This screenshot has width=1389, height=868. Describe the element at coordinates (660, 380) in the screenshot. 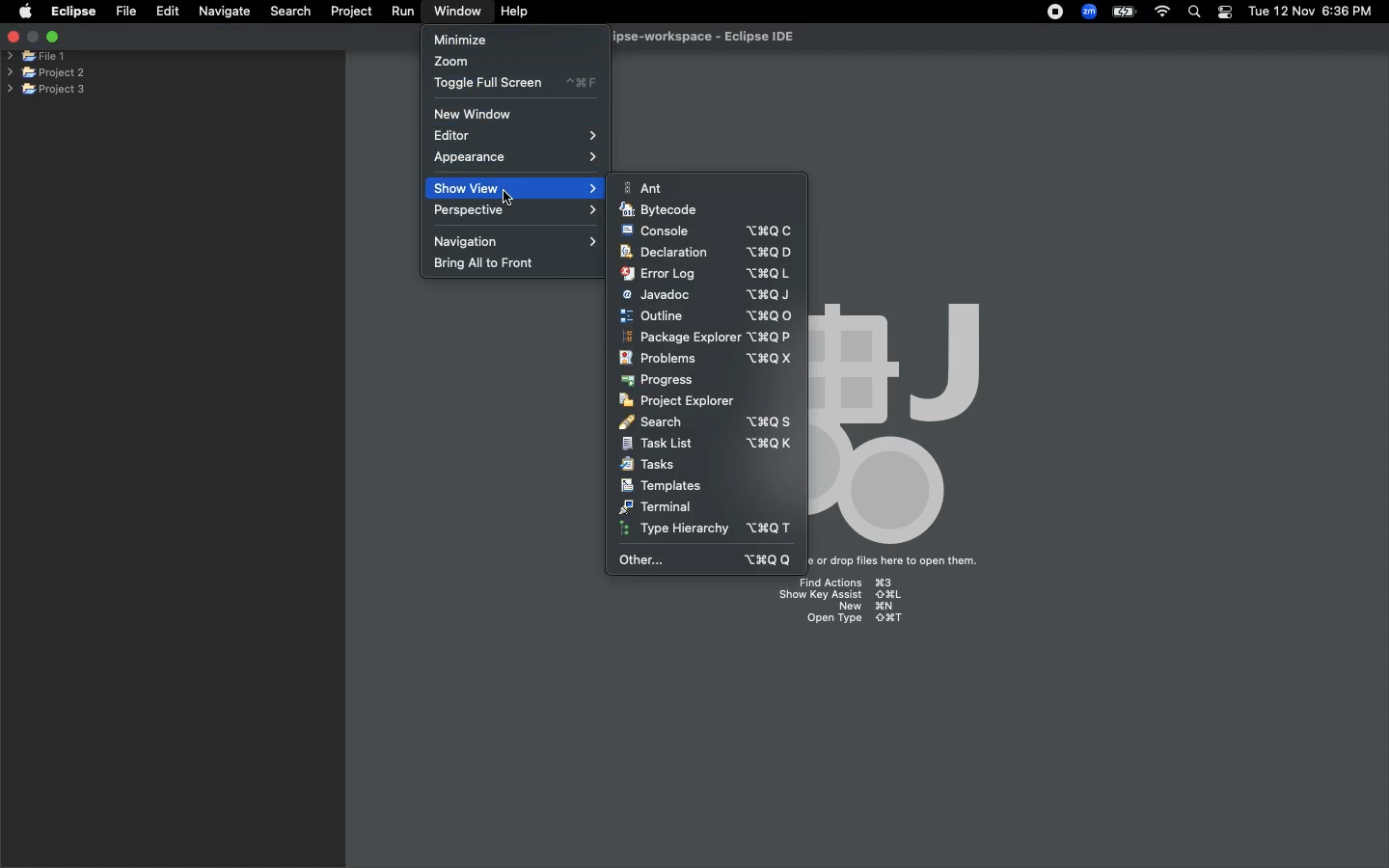

I see `Progress` at that location.